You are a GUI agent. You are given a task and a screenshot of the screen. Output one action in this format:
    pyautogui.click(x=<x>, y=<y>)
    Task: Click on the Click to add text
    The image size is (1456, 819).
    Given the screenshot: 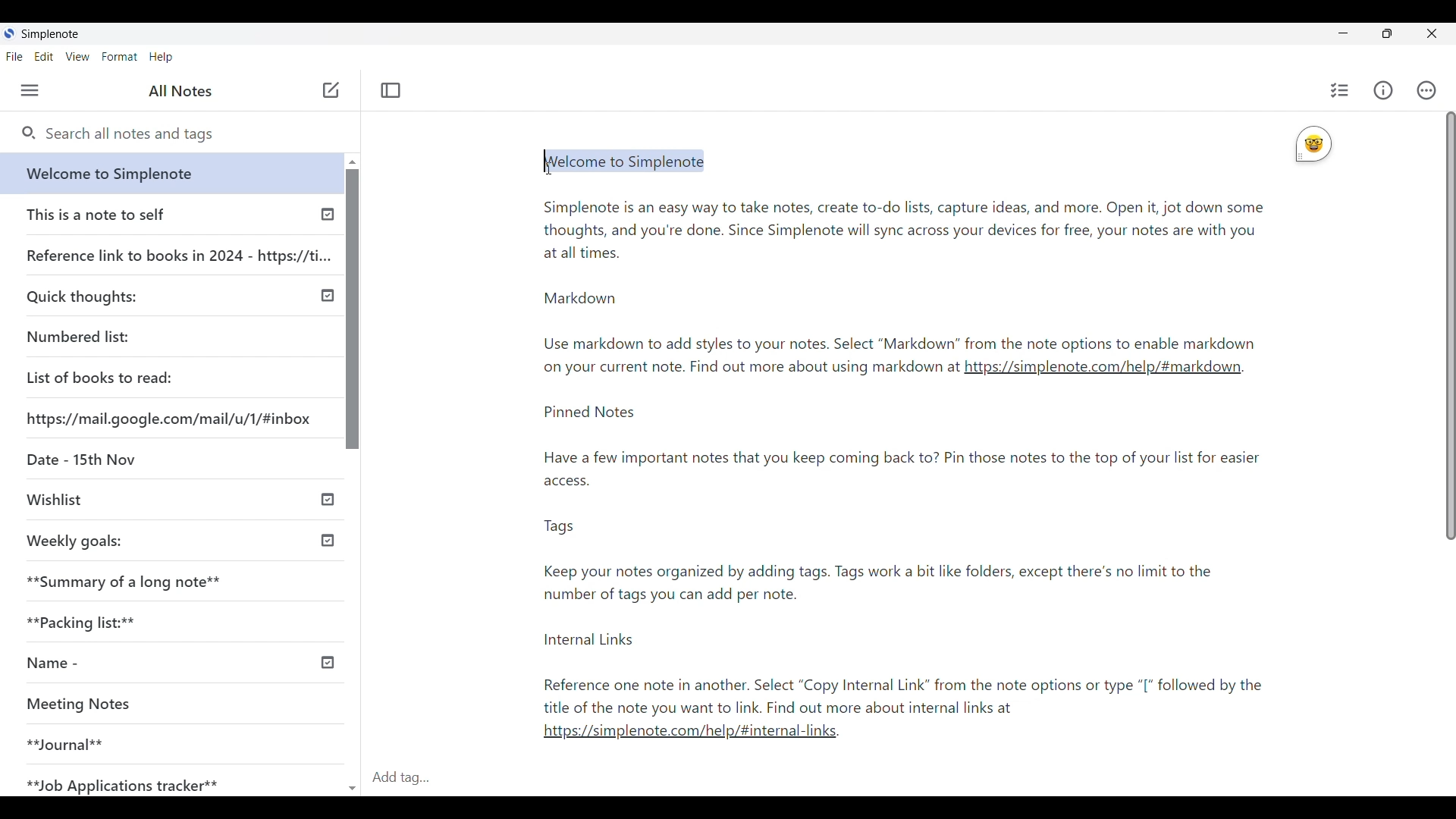 What is the action you would take?
    pyautogui.click(x=331, y=90)
    